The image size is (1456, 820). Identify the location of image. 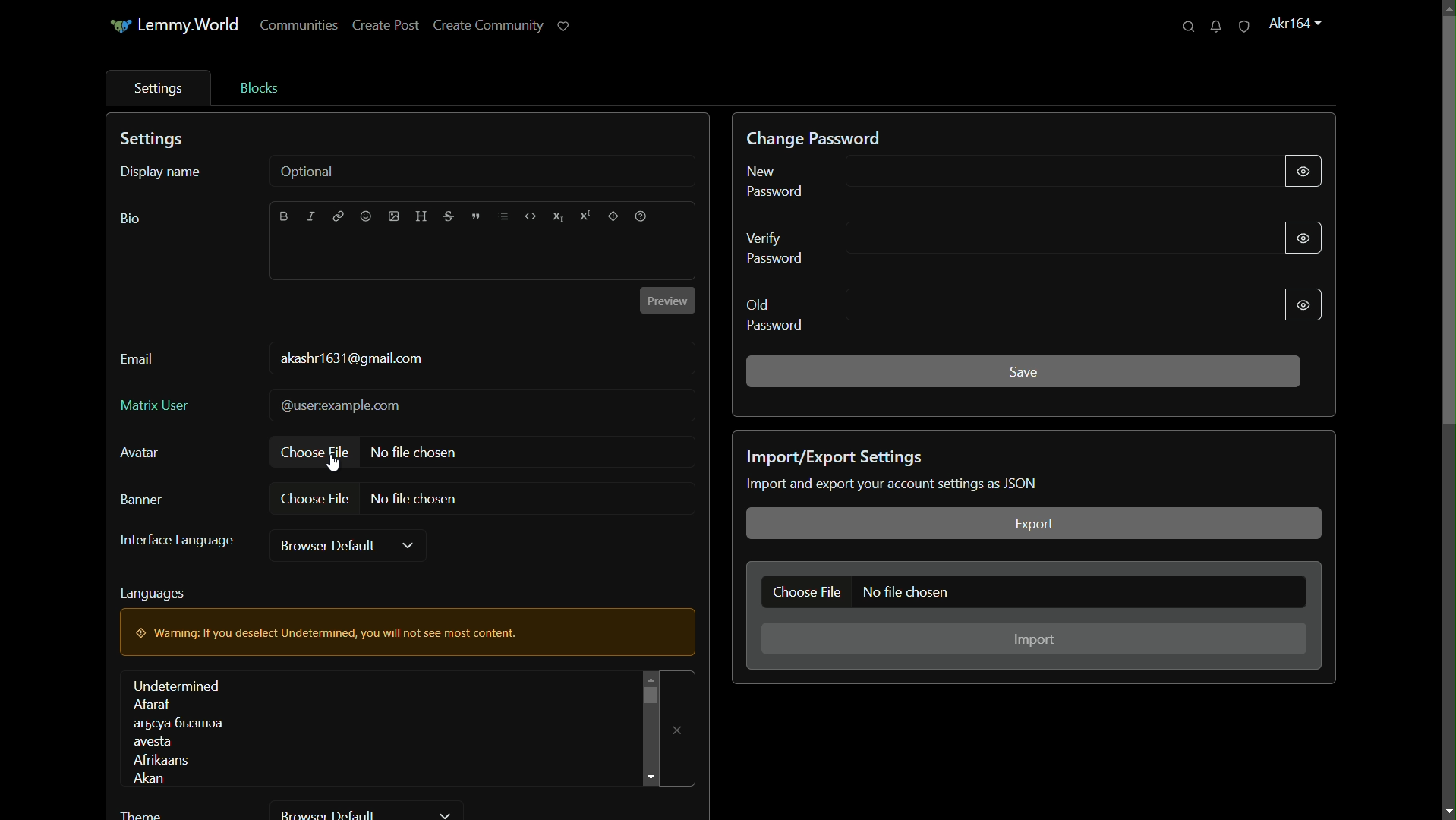
(392, 218).